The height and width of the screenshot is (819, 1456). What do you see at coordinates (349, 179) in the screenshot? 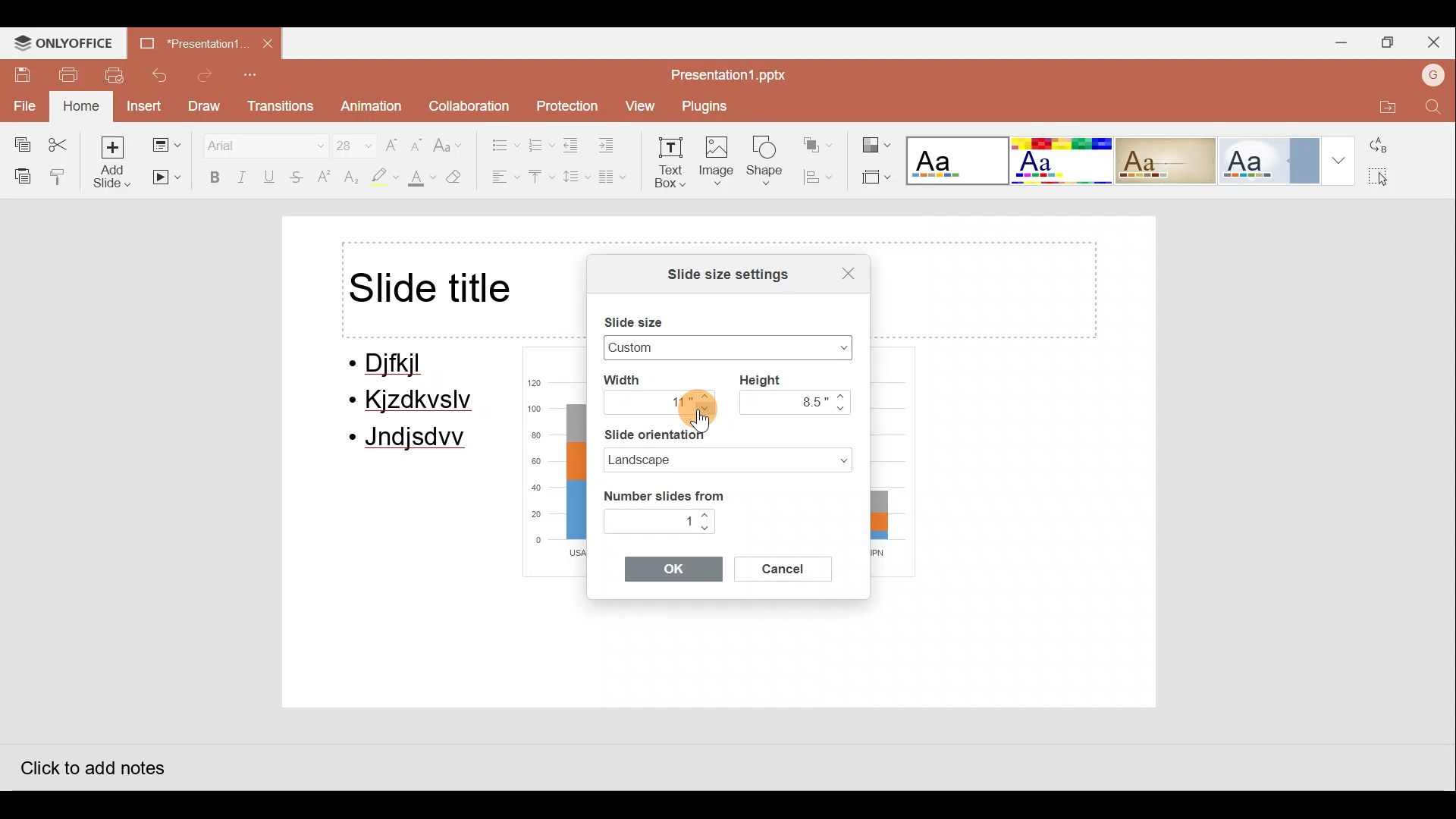
I see `Subscript` at bounding box center [349, 179].